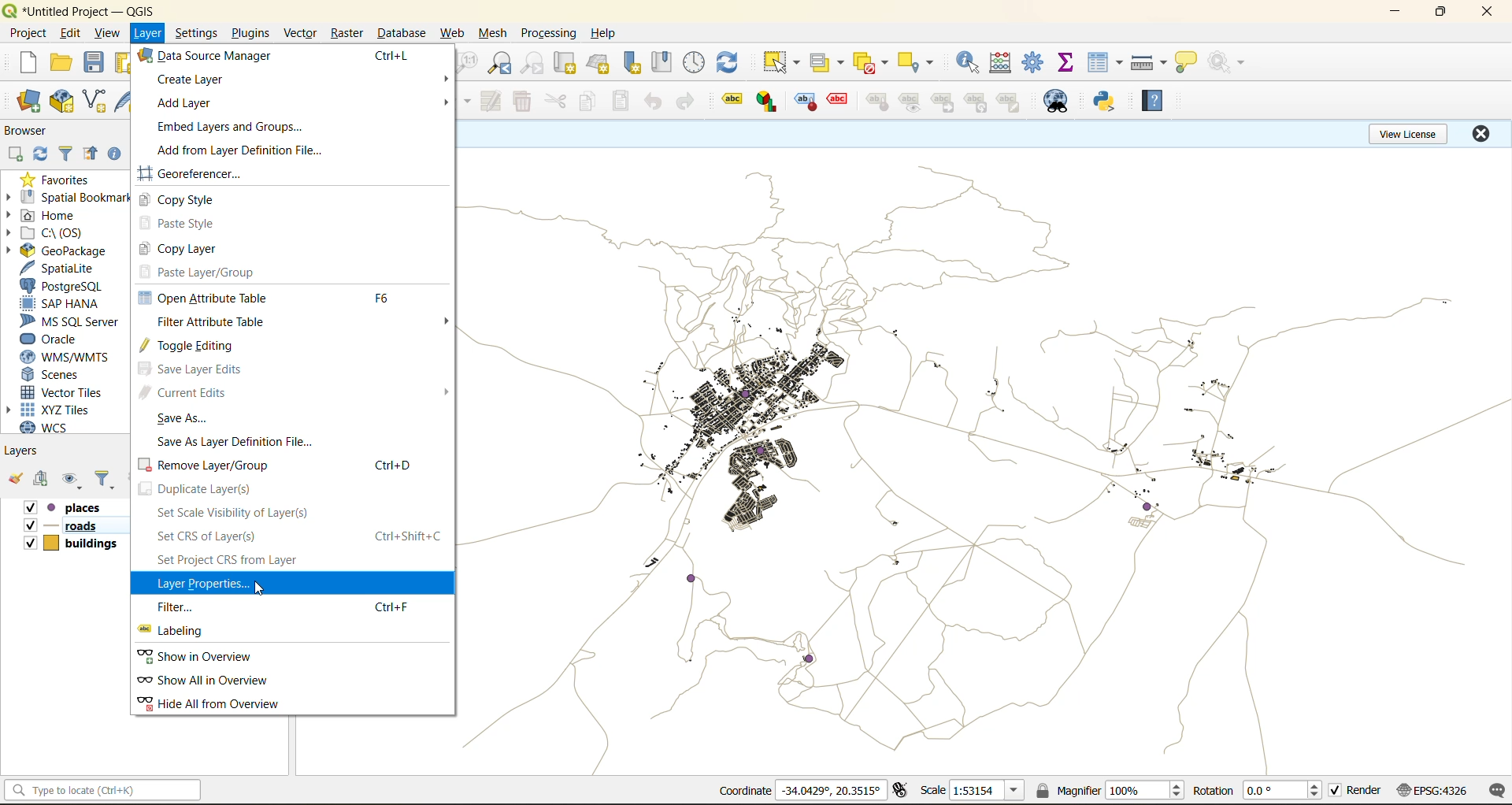 This screenshot has height=805, width=1512. I want to click on add, so click(17, 154).